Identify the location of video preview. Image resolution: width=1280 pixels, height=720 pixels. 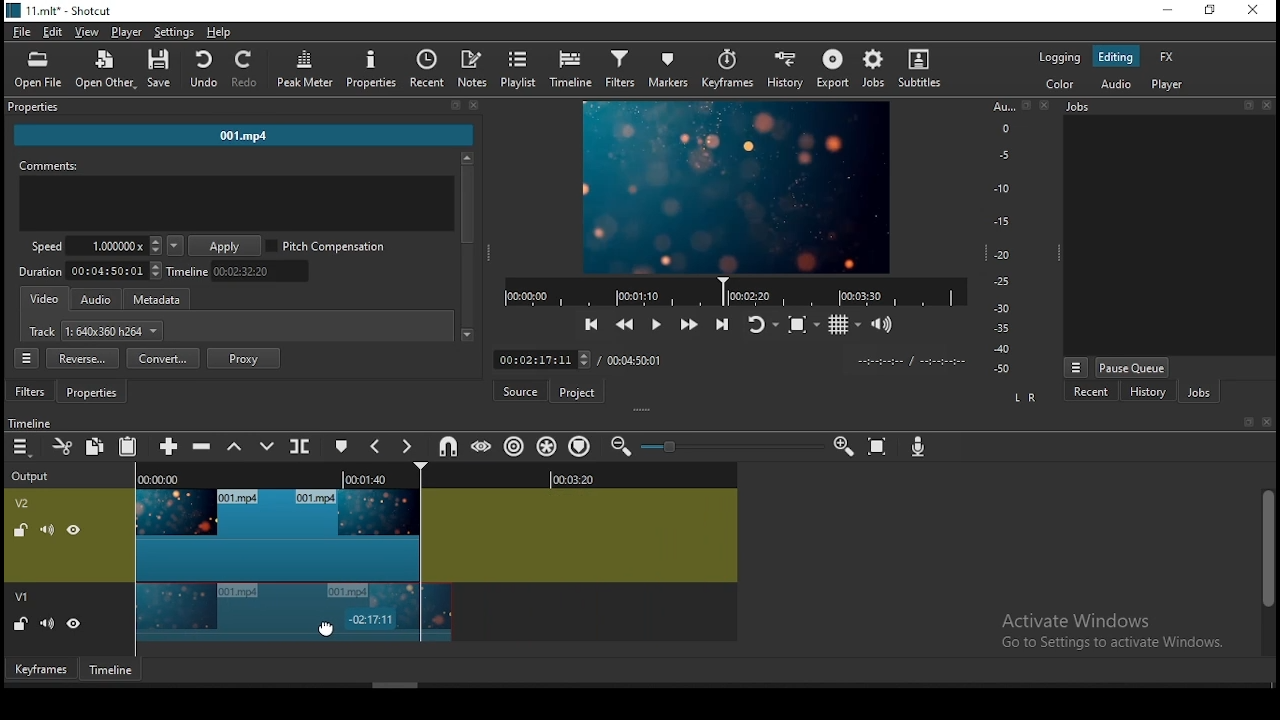
(734, 189).